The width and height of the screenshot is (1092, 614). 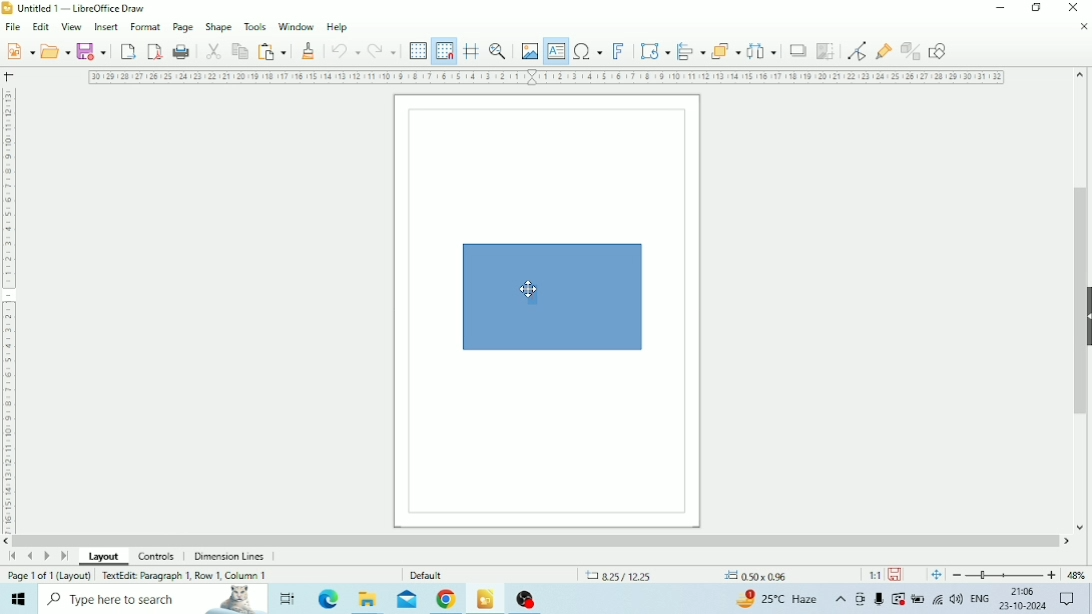 What do you see at coordinates (12, 556) in the screenshot?
I see `Scroll to first page` at bounding box center [12, 556].